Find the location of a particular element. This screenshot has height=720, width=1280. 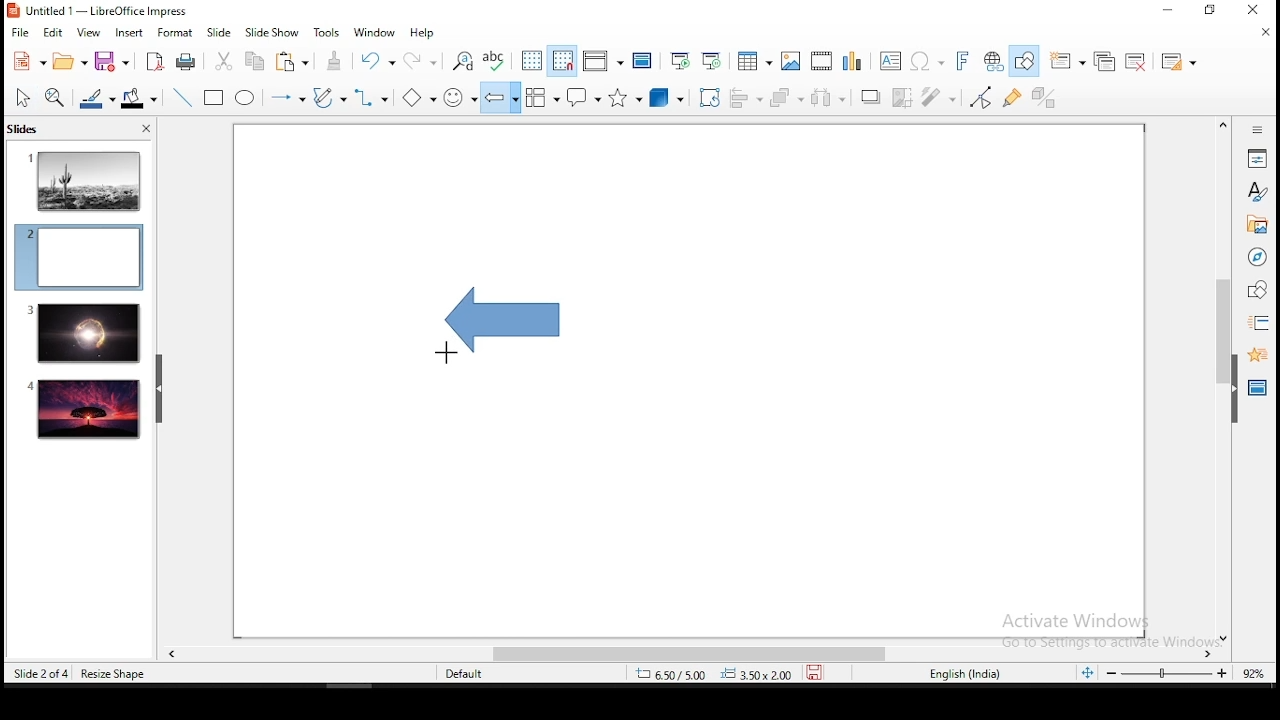

curves and polygons is located at coordinates (328, 98).